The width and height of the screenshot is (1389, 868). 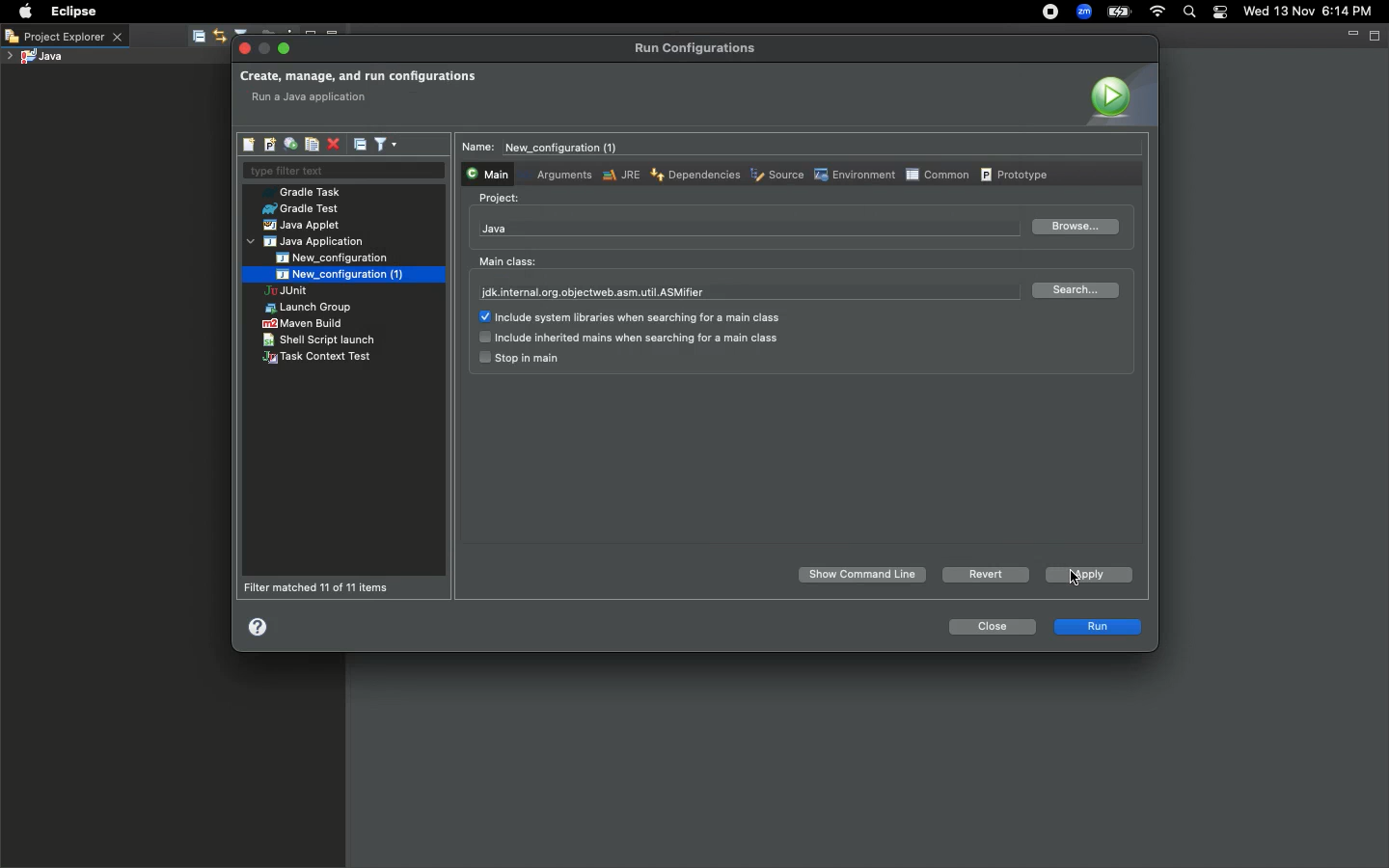 What do you see at coordinates (385, 143) in the screenshot?
I see `Filter launch configurations` at bounding box center [385, 143].